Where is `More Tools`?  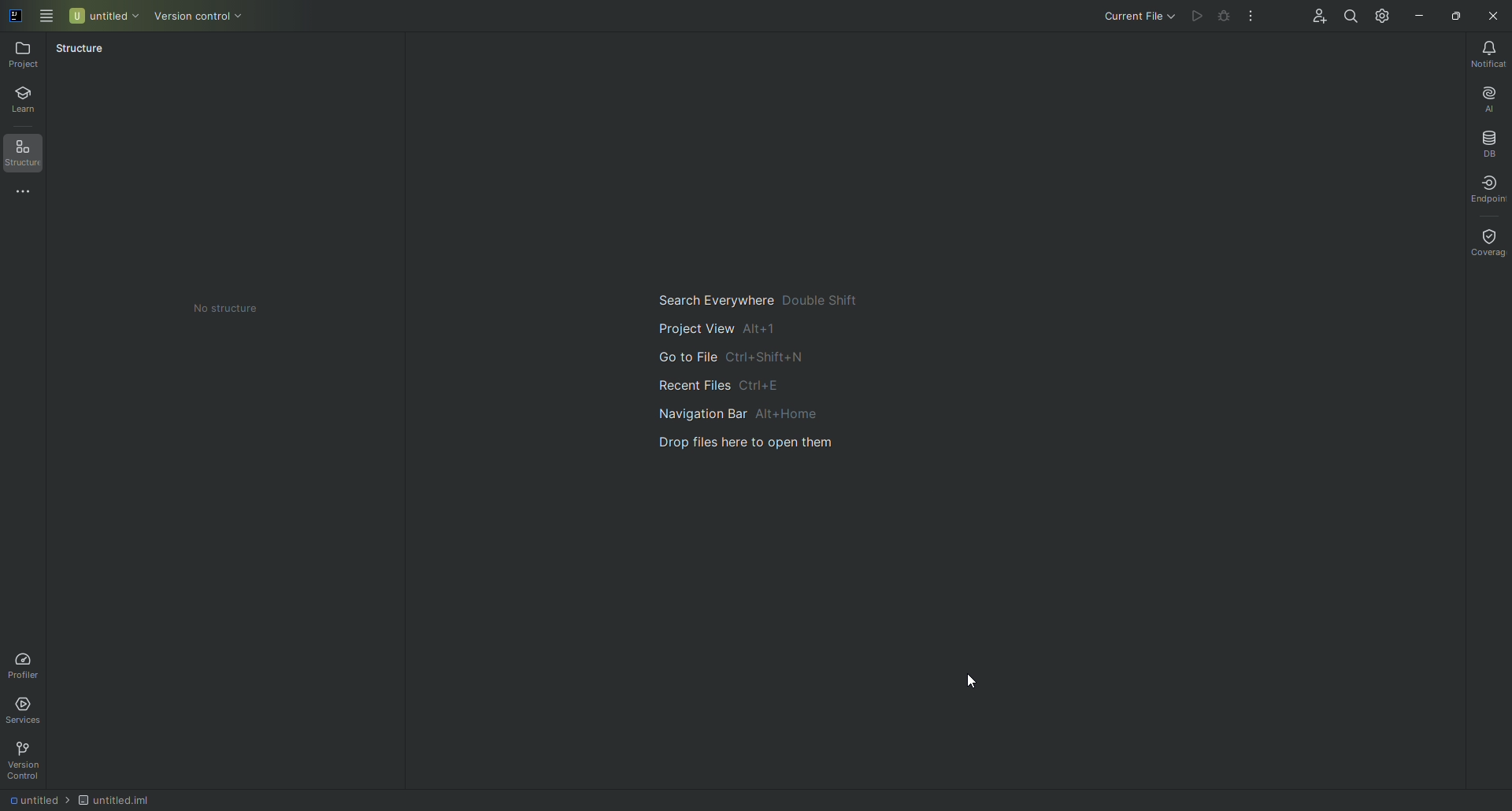
More Tools is located at coordinates (27, 196).